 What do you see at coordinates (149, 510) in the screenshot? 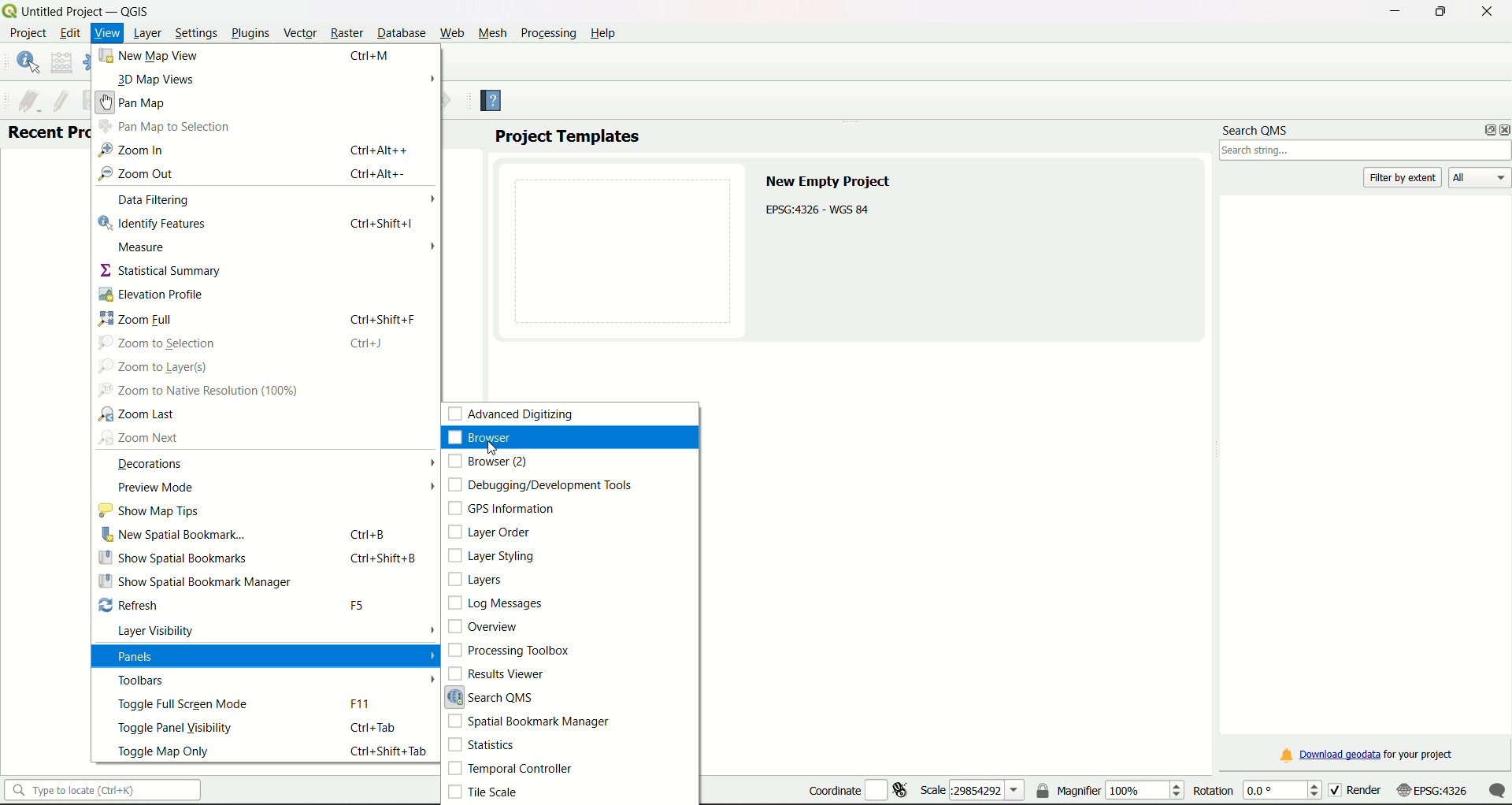
I see `show map tips` at bounding box center [149, 510].